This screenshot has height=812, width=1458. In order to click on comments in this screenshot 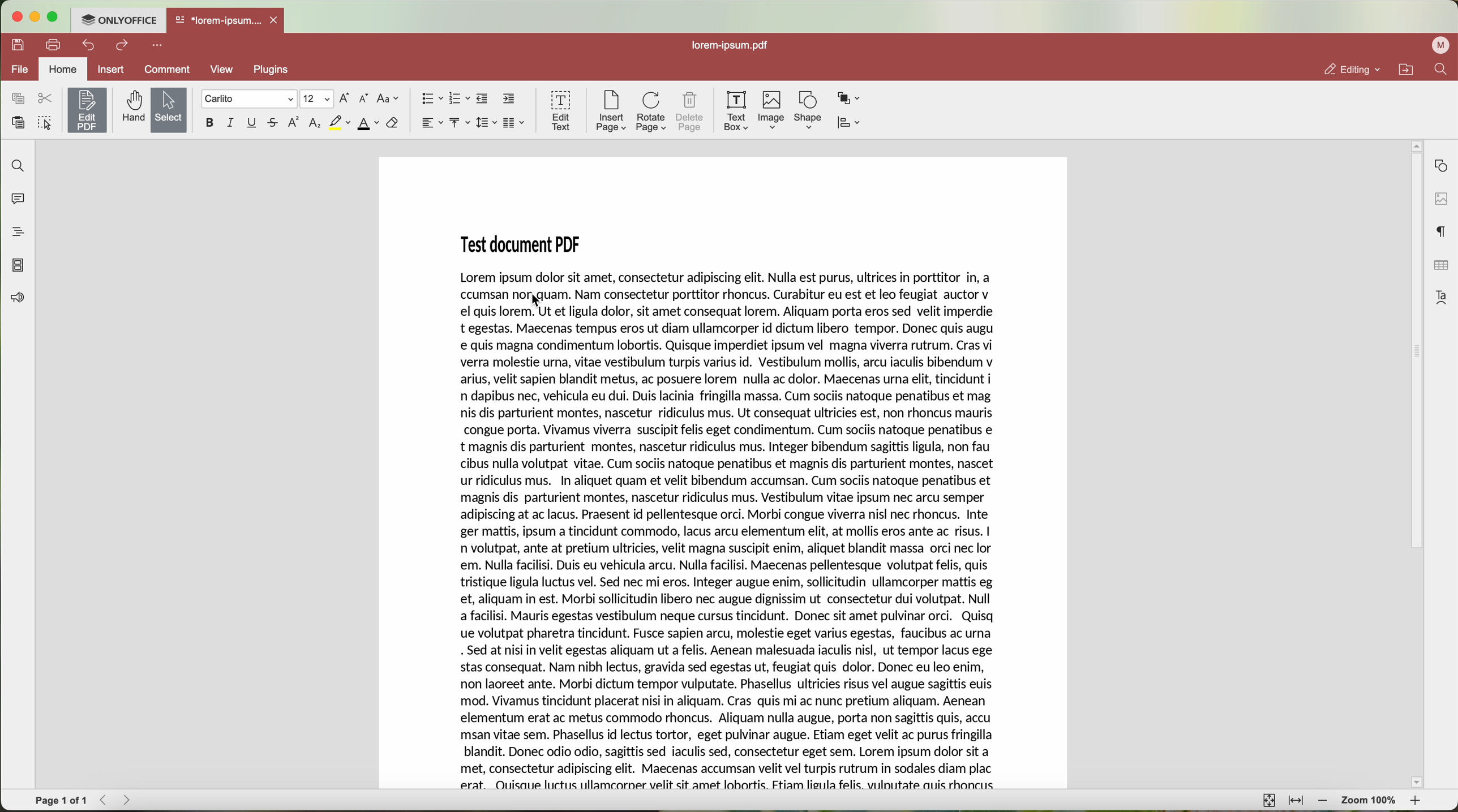, I will do `click(18, 198)`.